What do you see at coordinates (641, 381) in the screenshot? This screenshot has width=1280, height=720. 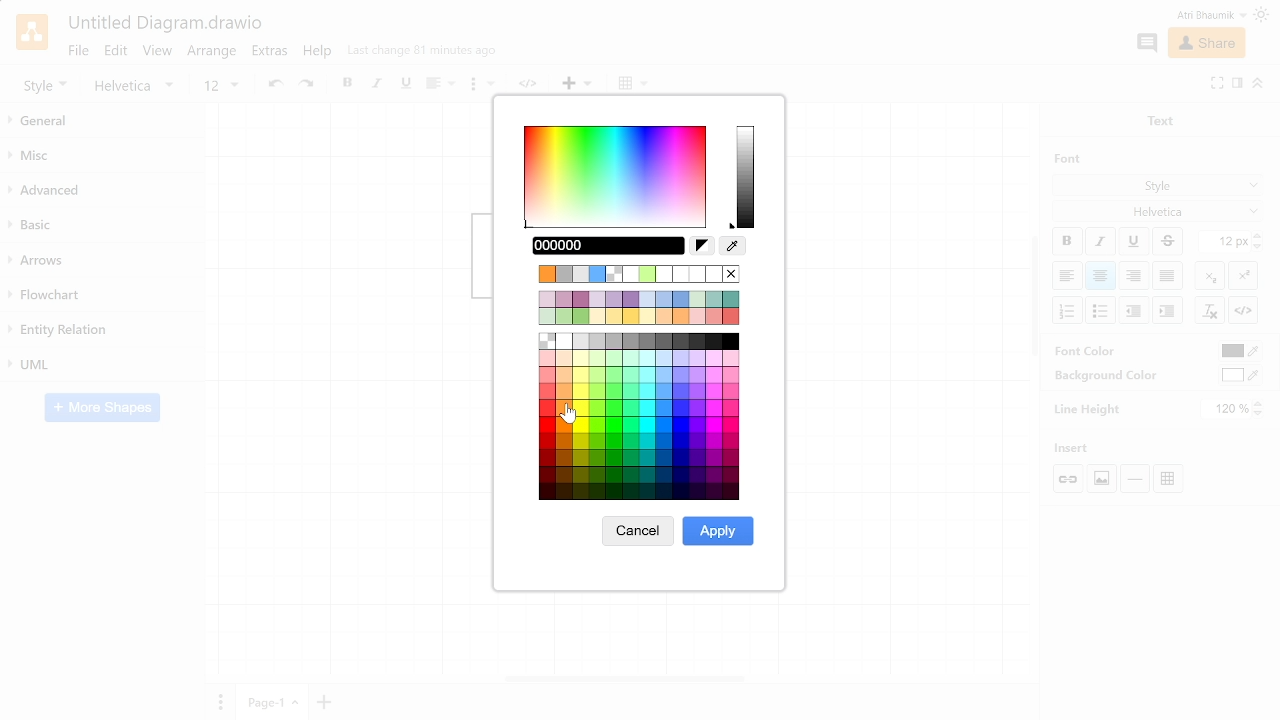 I see `Colors` at bounding box center [641, 381].